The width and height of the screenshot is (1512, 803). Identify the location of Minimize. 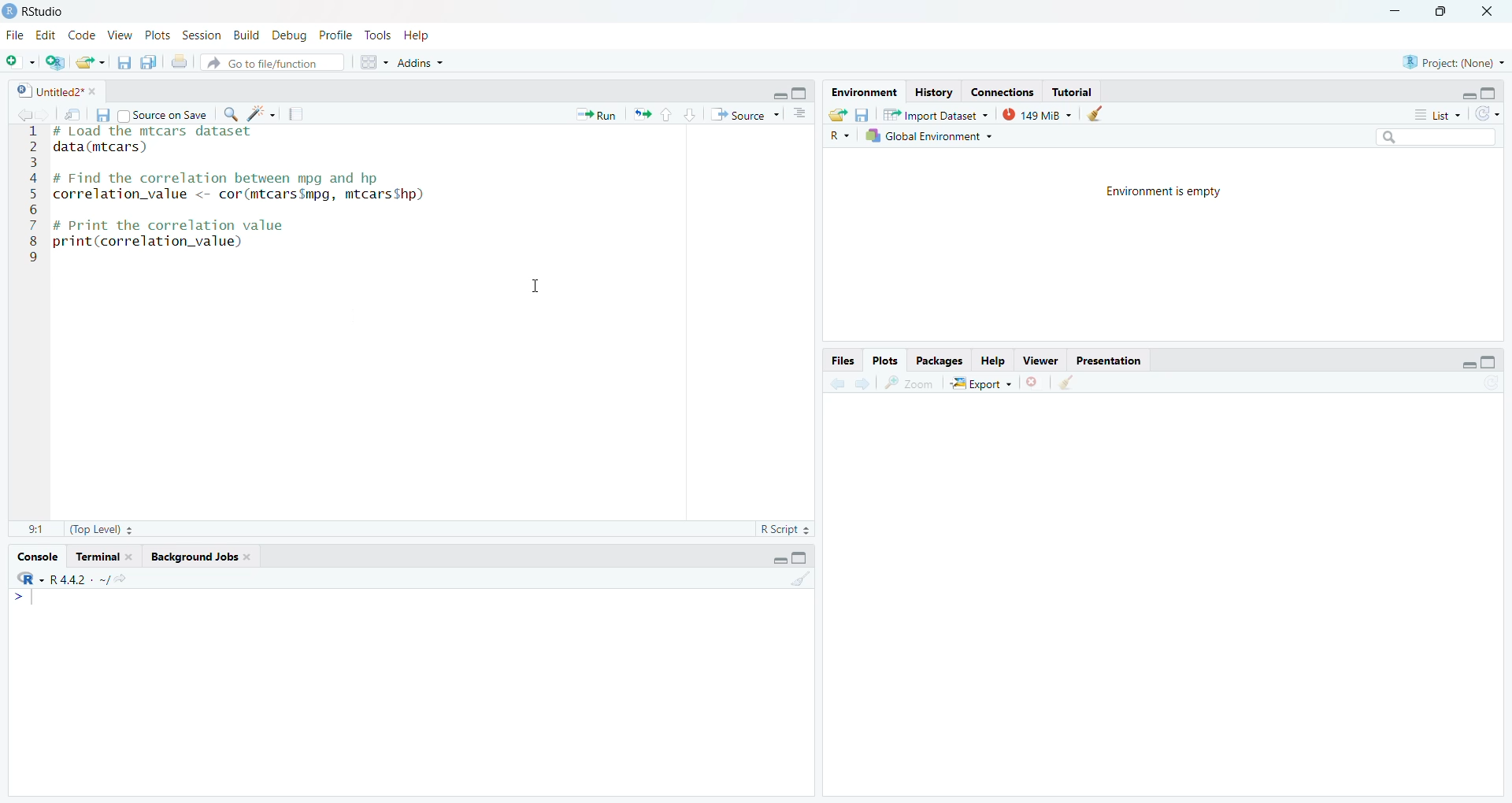
(779, 94).